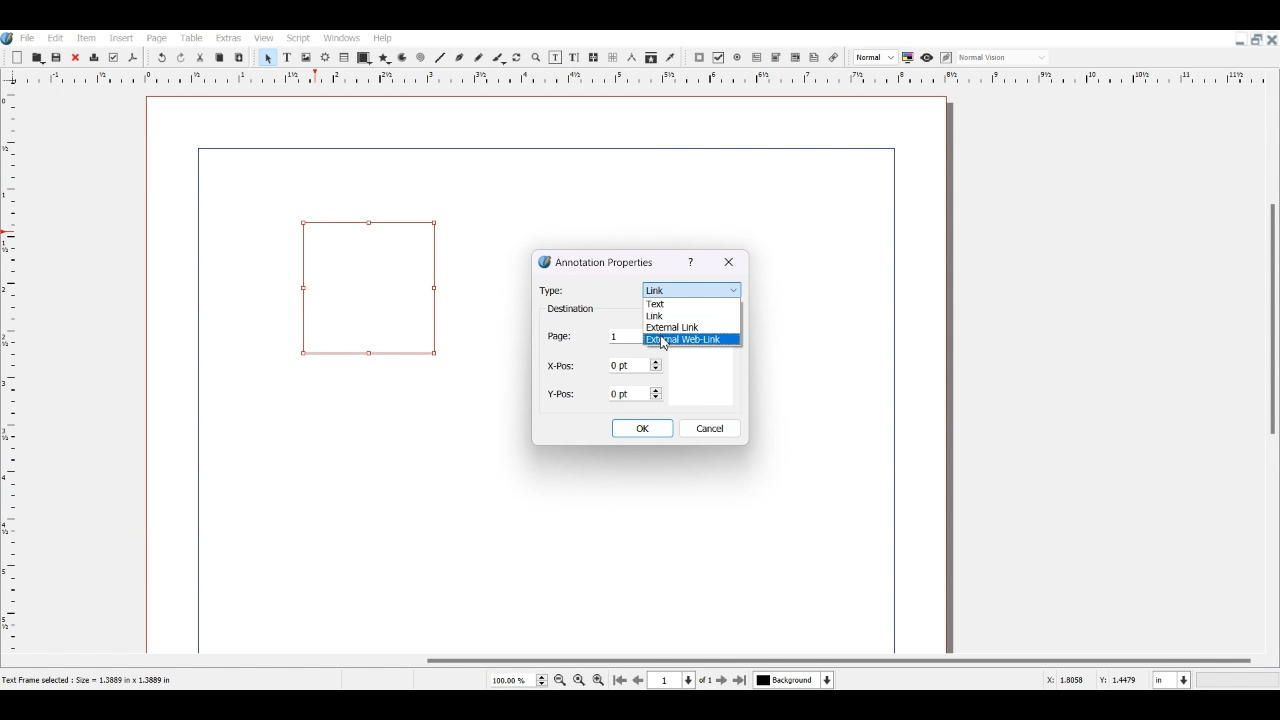  Describe the element at coordinates (1240, 40) in the screenshot. I see `Minimize` at that location.